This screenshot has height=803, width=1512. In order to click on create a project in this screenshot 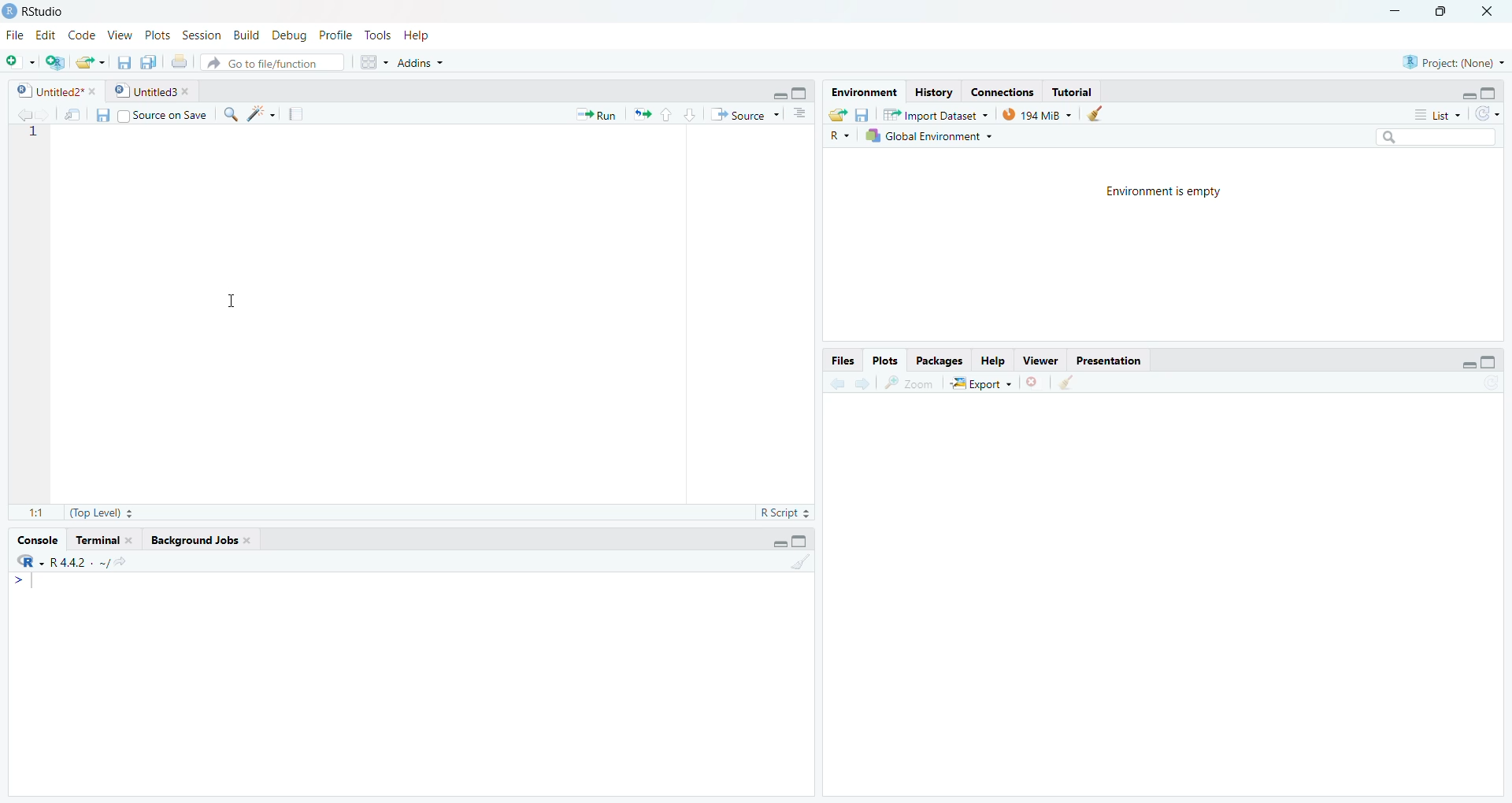, I will do `click(54, 61)`.